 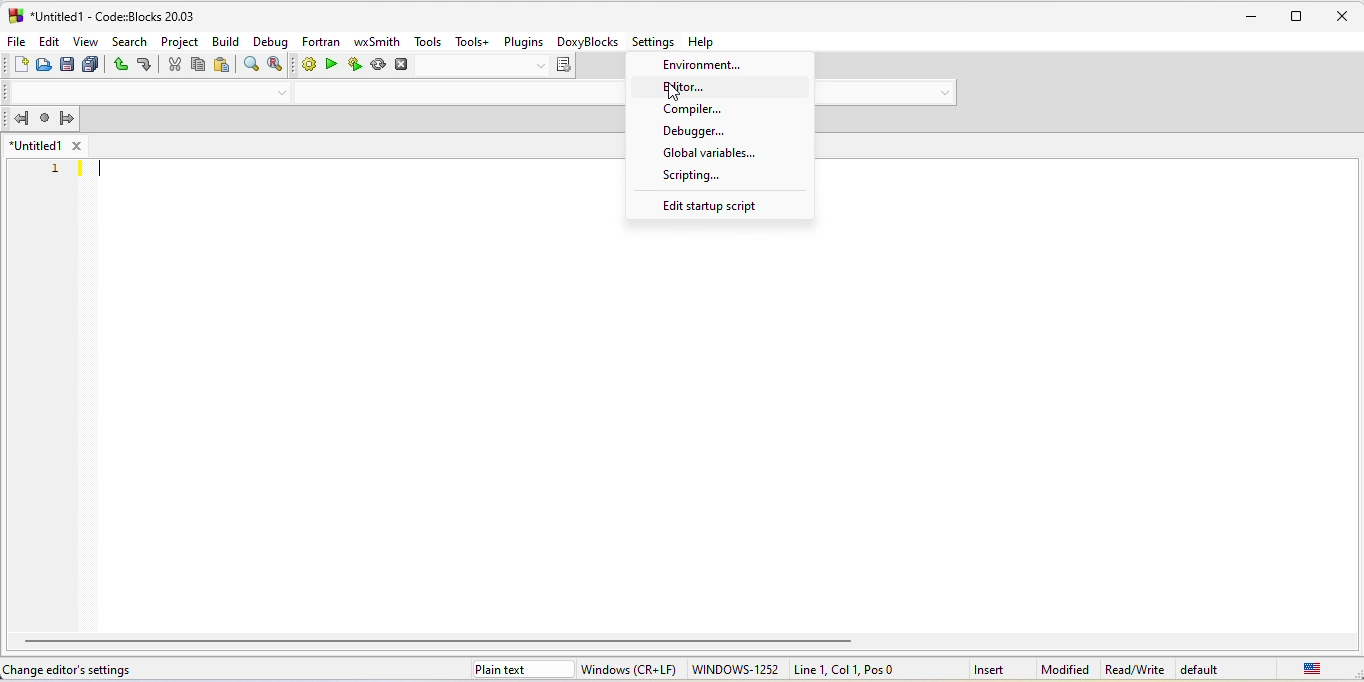 What do you see at coordinates (308, 62) in the screenshot?
I see `build` at bounding box center [308, 62].